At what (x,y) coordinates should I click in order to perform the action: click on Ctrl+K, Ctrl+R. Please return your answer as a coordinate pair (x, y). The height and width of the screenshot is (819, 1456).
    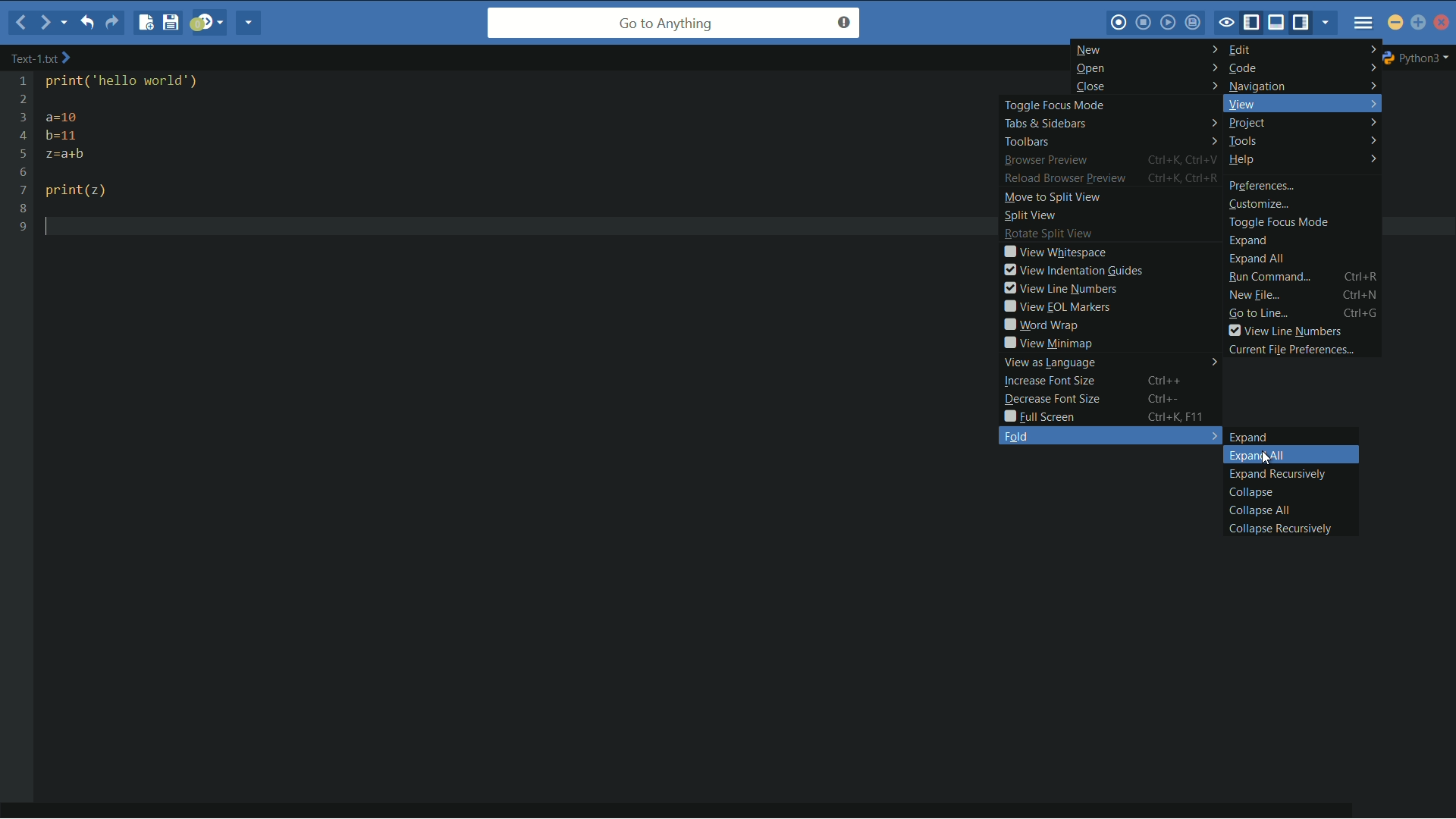
    Looking at the image, I should click on (1185, 178).